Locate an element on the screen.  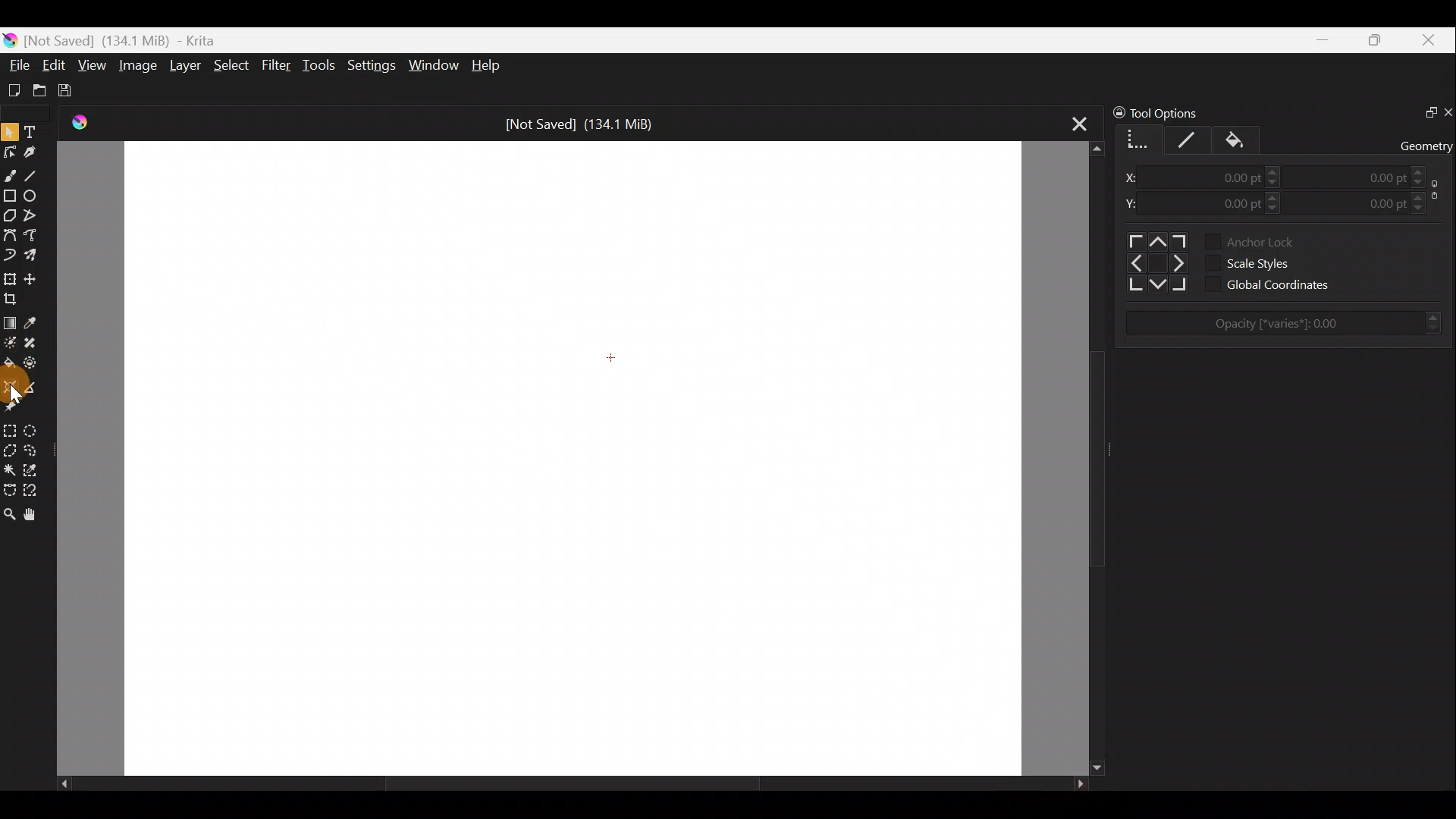
Y-axis dimension is located at coordinates (1134, 199).